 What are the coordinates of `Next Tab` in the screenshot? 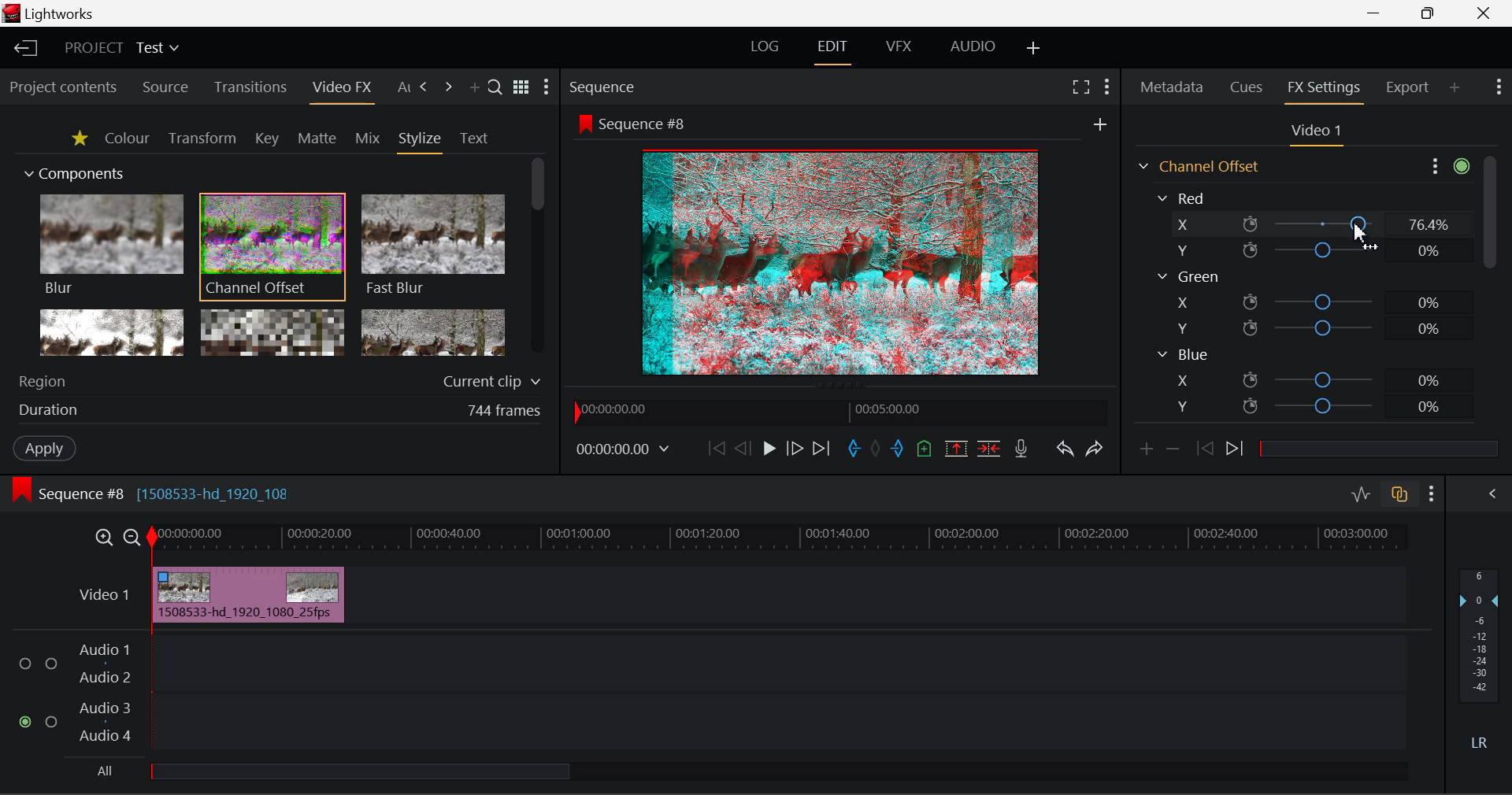 It's located at (425, 87).